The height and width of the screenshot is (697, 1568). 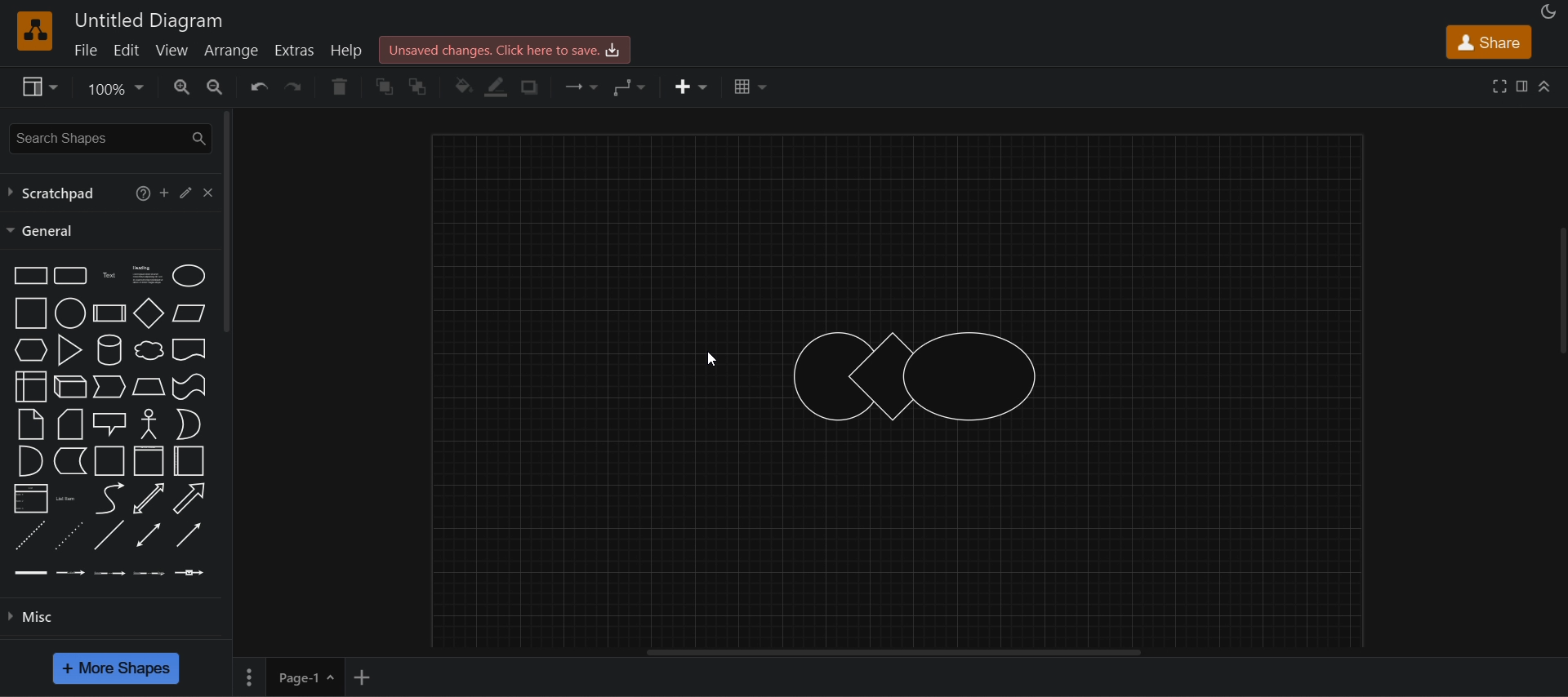 I want to click on or, so click(x=188, y=424).